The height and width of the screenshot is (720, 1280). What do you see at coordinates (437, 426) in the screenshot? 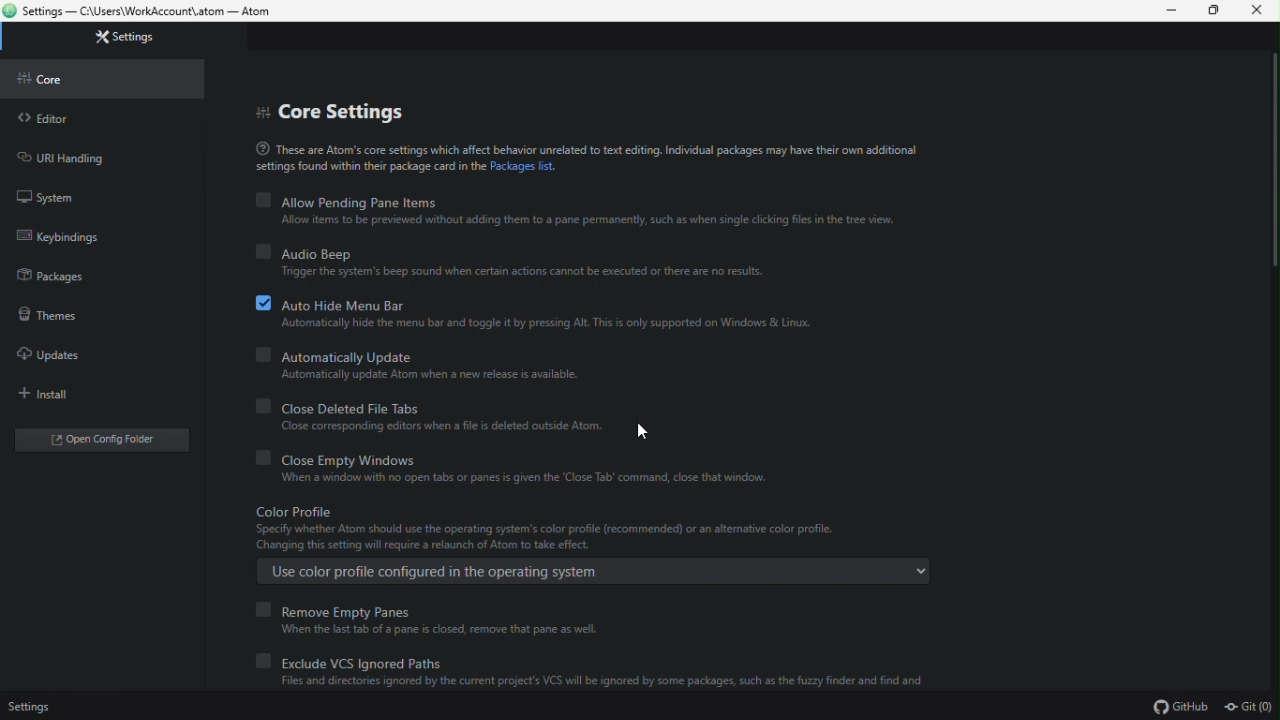
I see `Close corresponding editors when a file is deleted outside Atom.` at bounding box center [437, 426].